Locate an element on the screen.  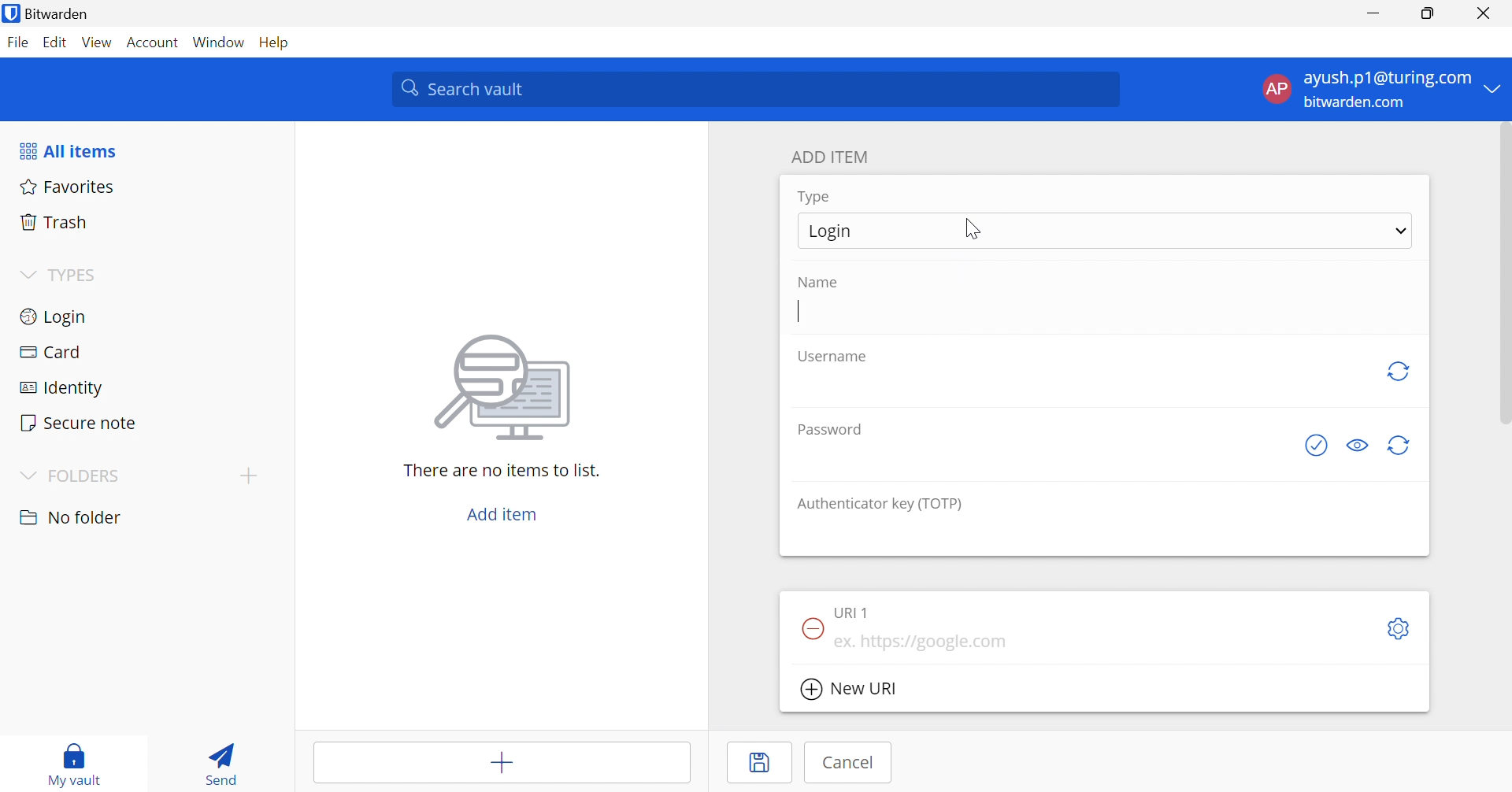
Minimize is located at coordinates (1374, 12).